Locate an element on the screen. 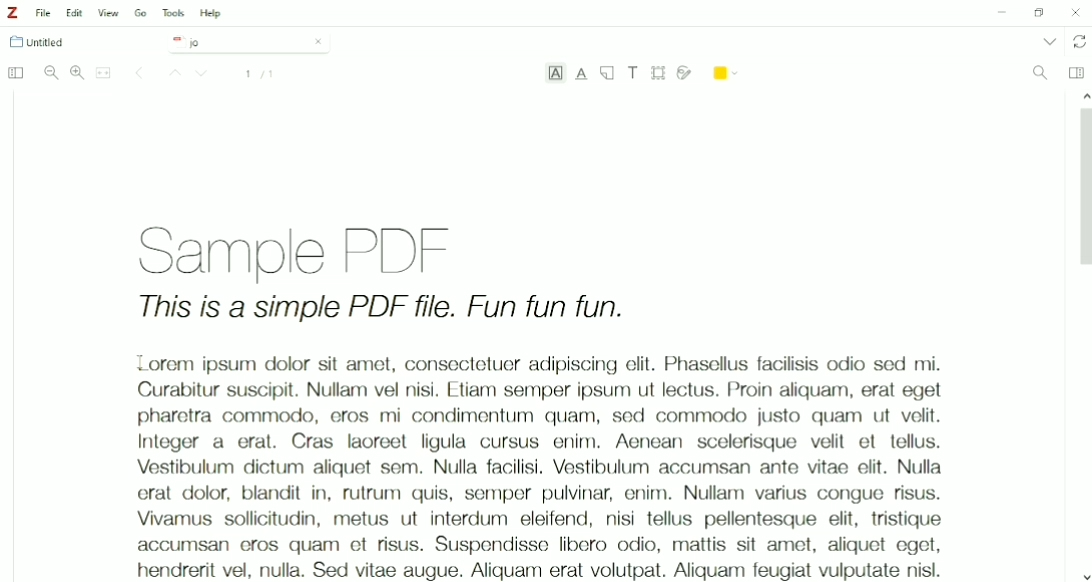 Image resolution: width=1092 pixels, height=582 pixels. View is located at coordinates (109, 13).